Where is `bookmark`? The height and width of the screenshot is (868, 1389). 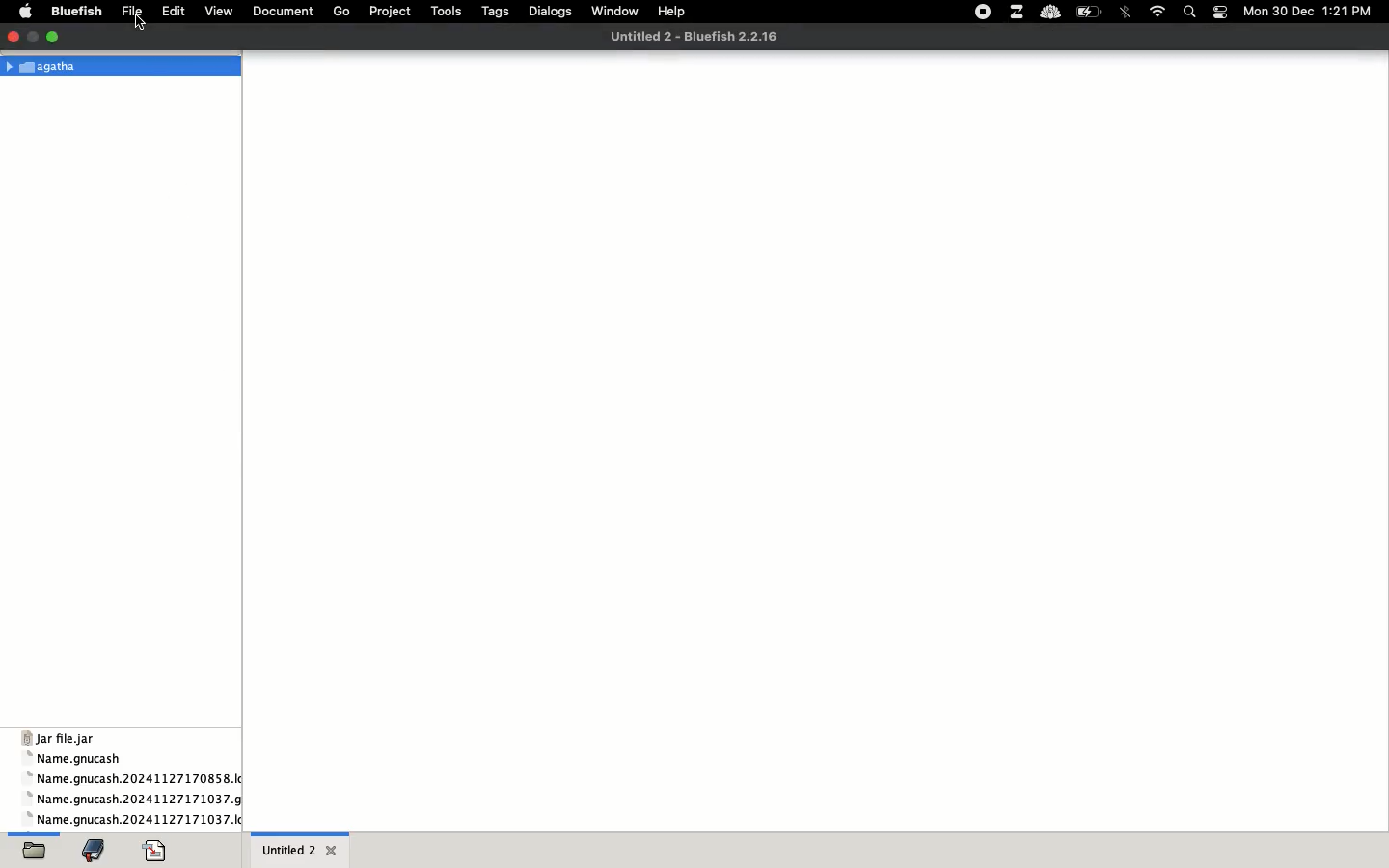 bookmark is located at coordinates (93, 848).